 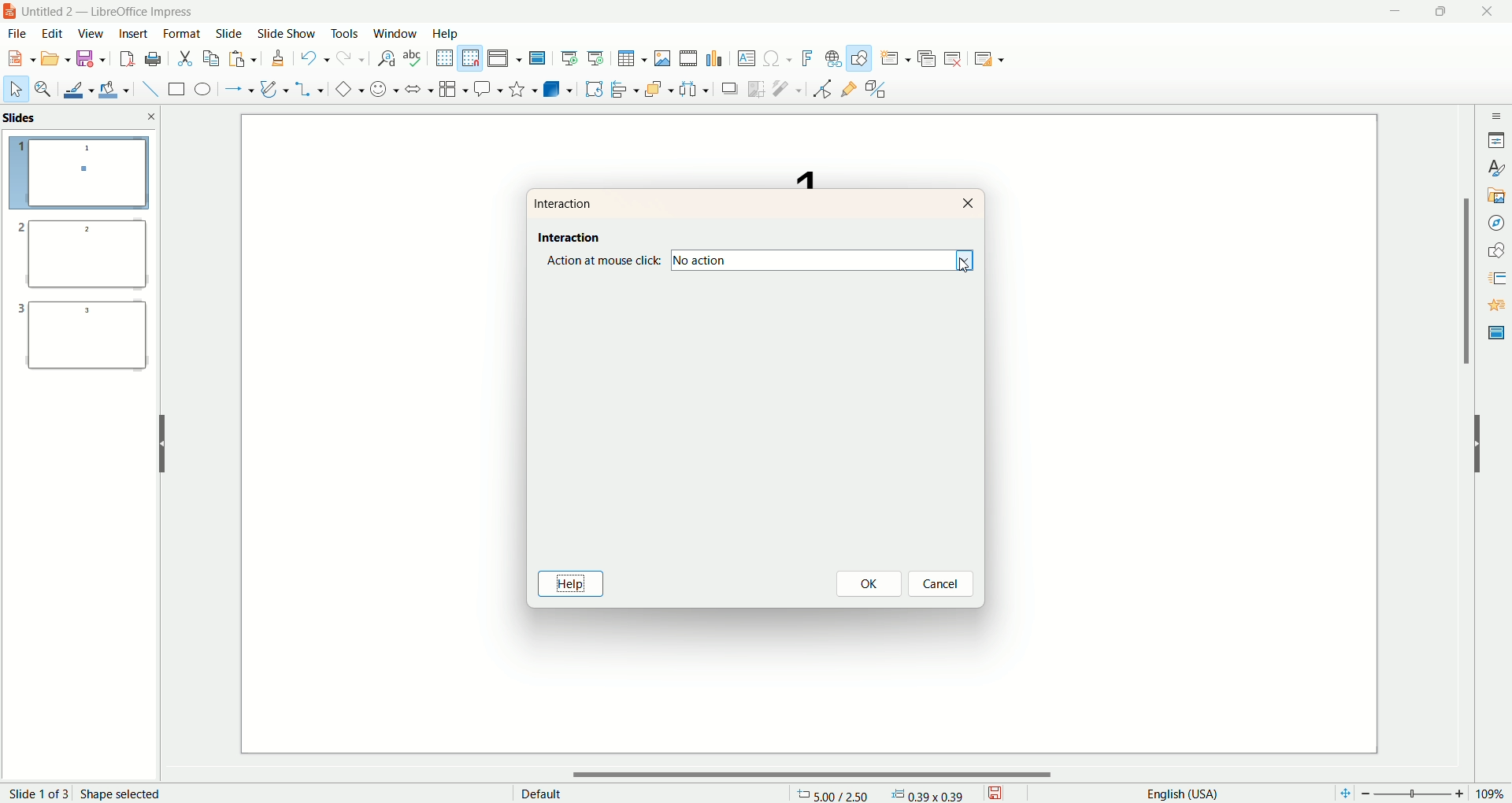 I want to click on gallery, so click(x=1496, y=195).